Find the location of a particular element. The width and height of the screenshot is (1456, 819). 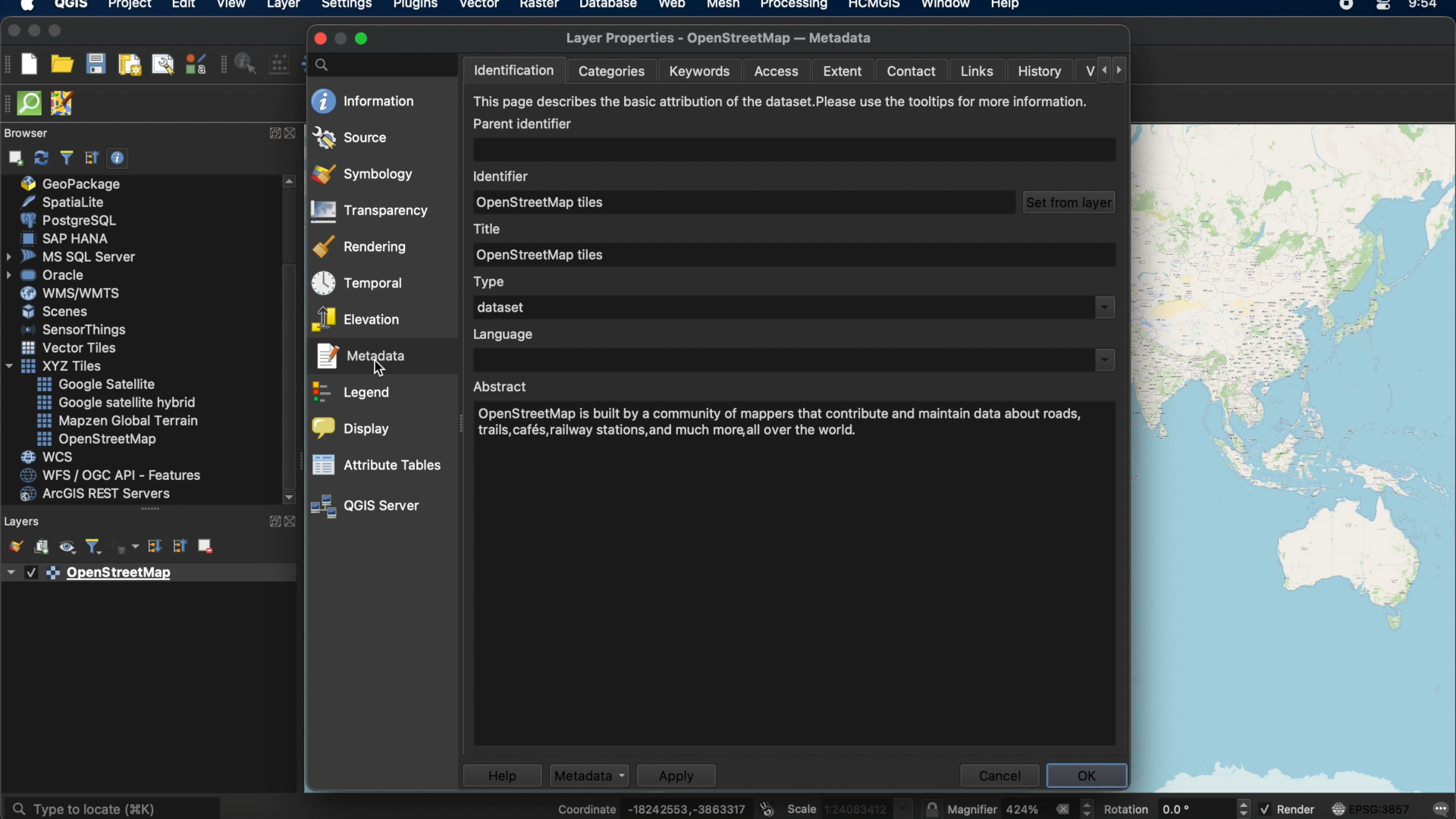

set from layer is located at coordinates (1068, 202).